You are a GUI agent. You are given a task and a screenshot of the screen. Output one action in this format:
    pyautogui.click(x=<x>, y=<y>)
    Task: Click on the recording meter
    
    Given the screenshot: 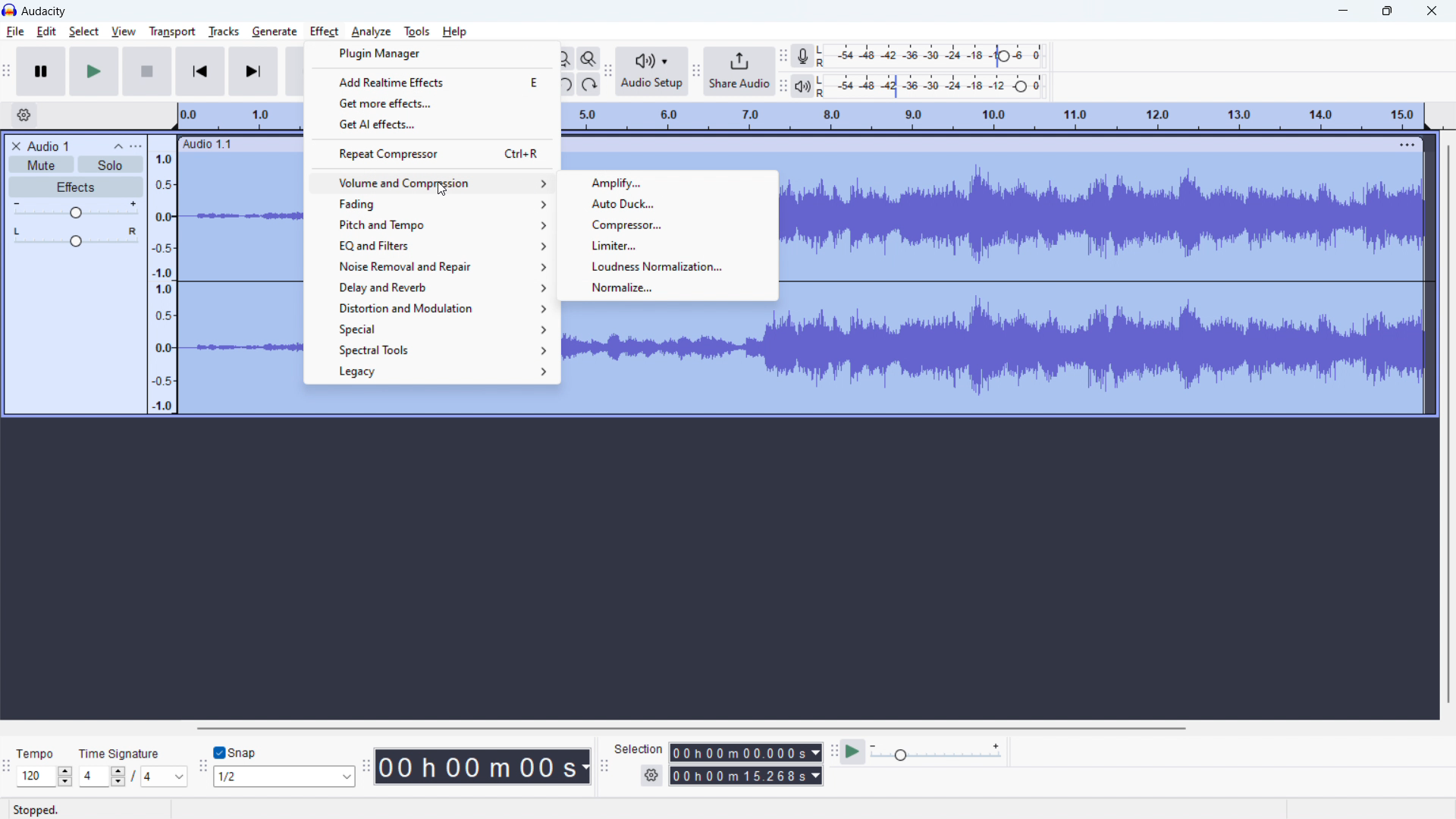 What is the action you would take?
    pyautogui.click(x=808, y=55)
    